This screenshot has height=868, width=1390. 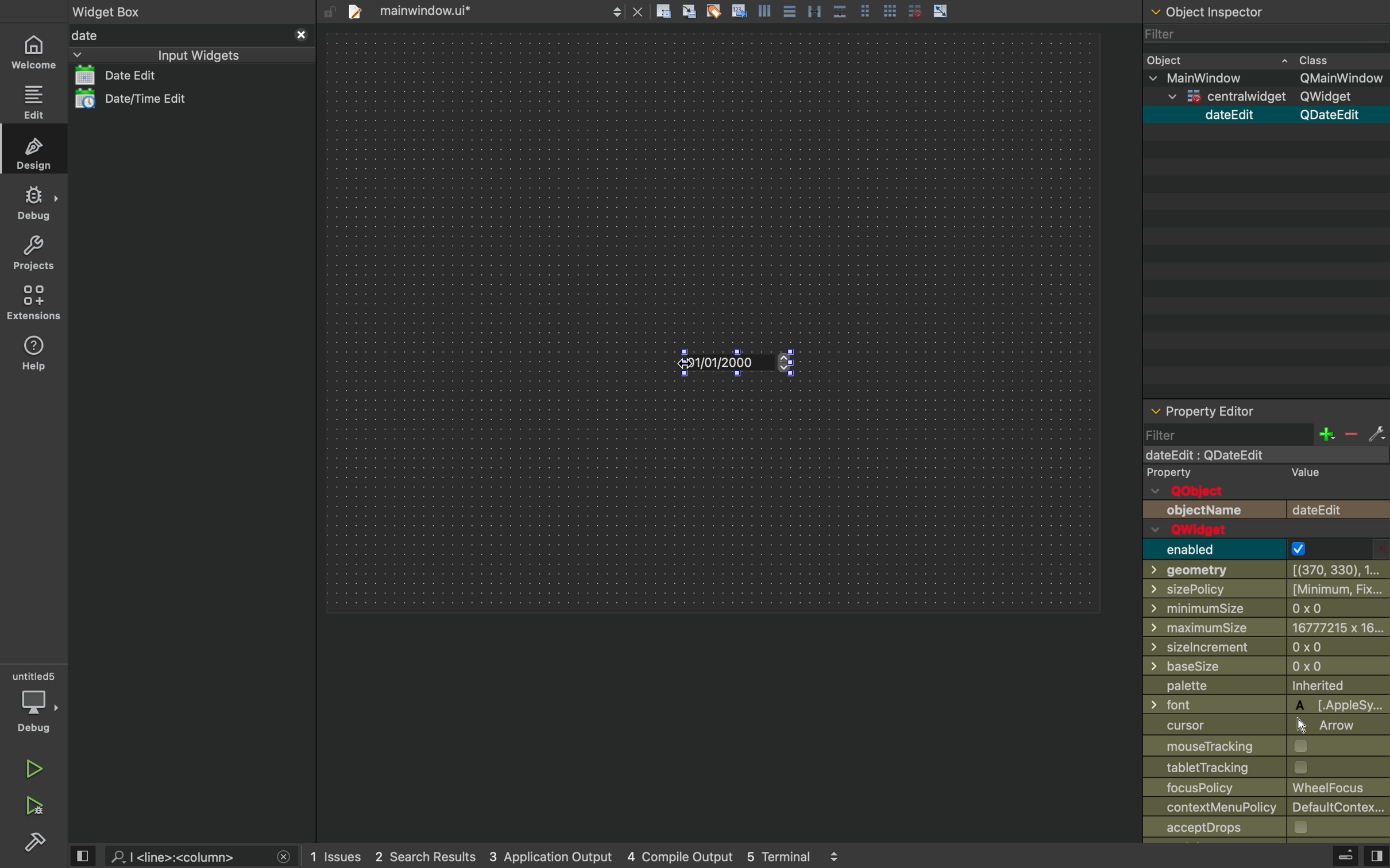 What do you see at coordinates (1268, 571) in the screenshot?
I see `geometry` at bounding box center [1268, 571].